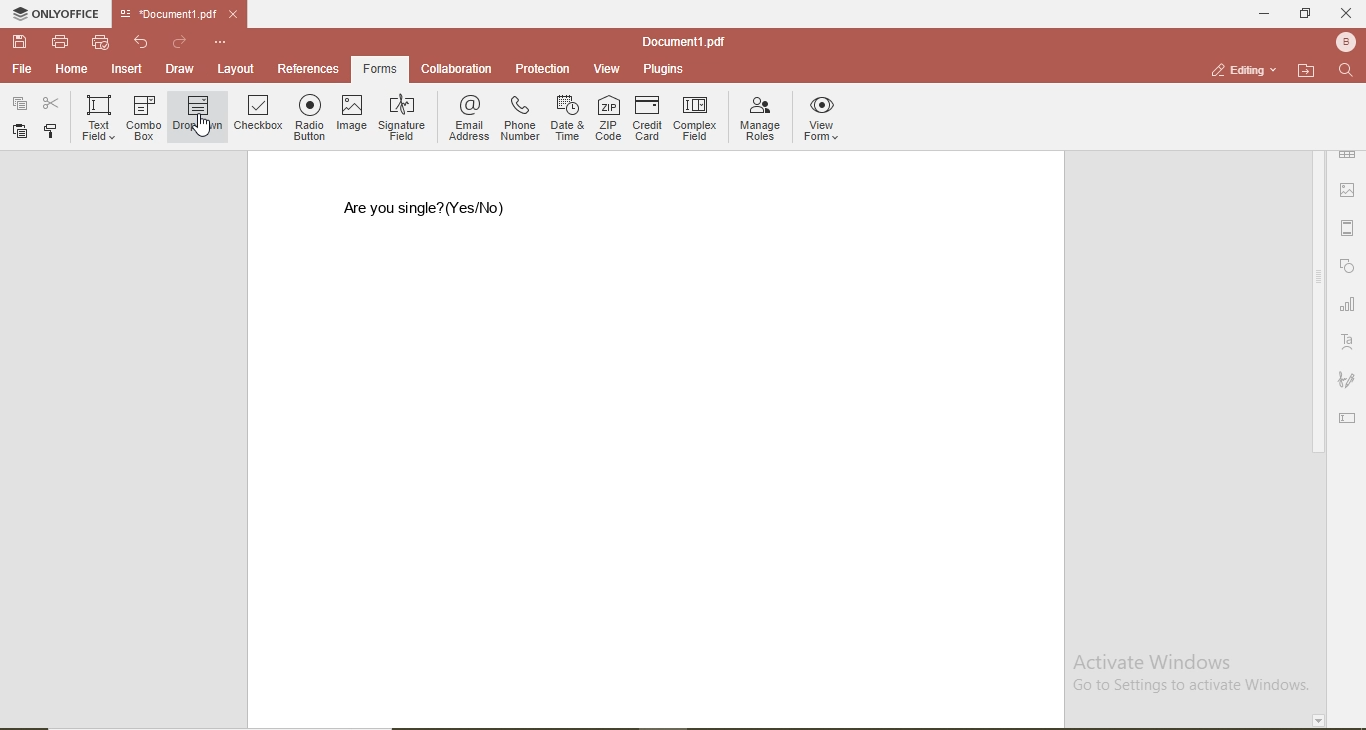 The height and width of the screenshot is (730, 1366). Describe the element at coordinates (127, 71) in the screenshot. I see `insert` at that location.